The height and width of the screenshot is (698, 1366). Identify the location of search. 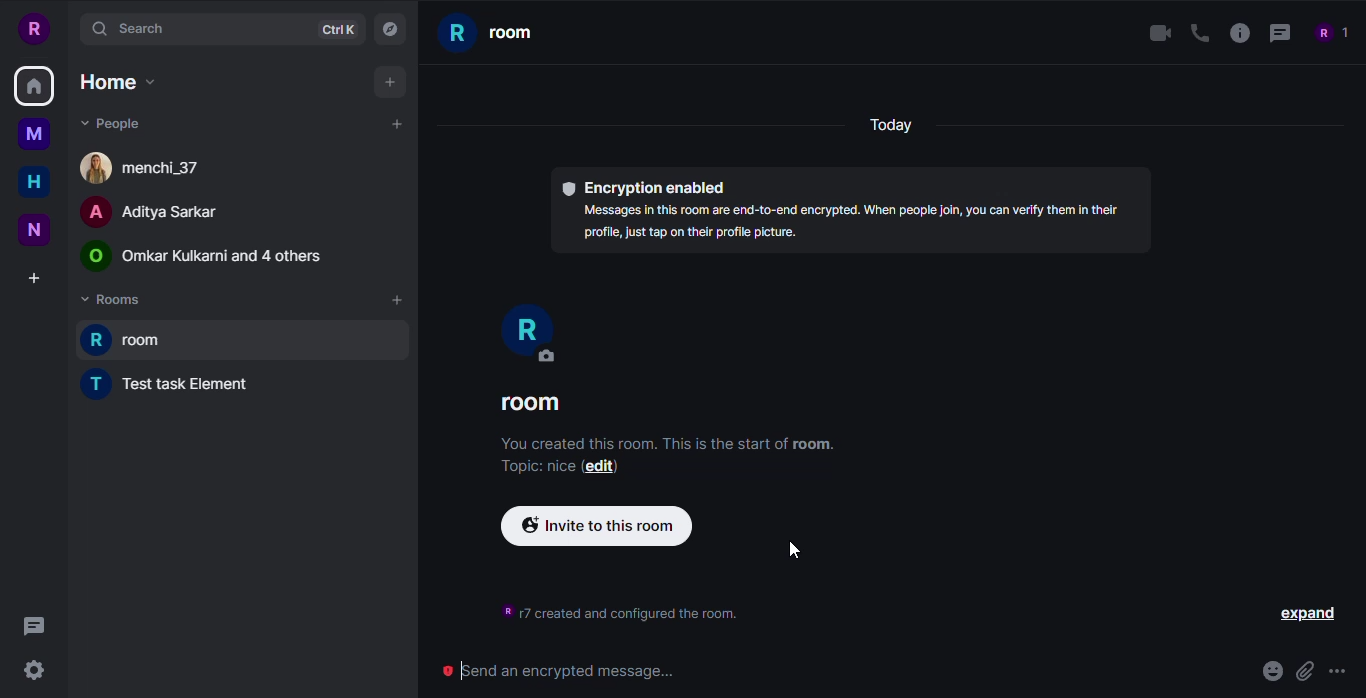
(132, 28).